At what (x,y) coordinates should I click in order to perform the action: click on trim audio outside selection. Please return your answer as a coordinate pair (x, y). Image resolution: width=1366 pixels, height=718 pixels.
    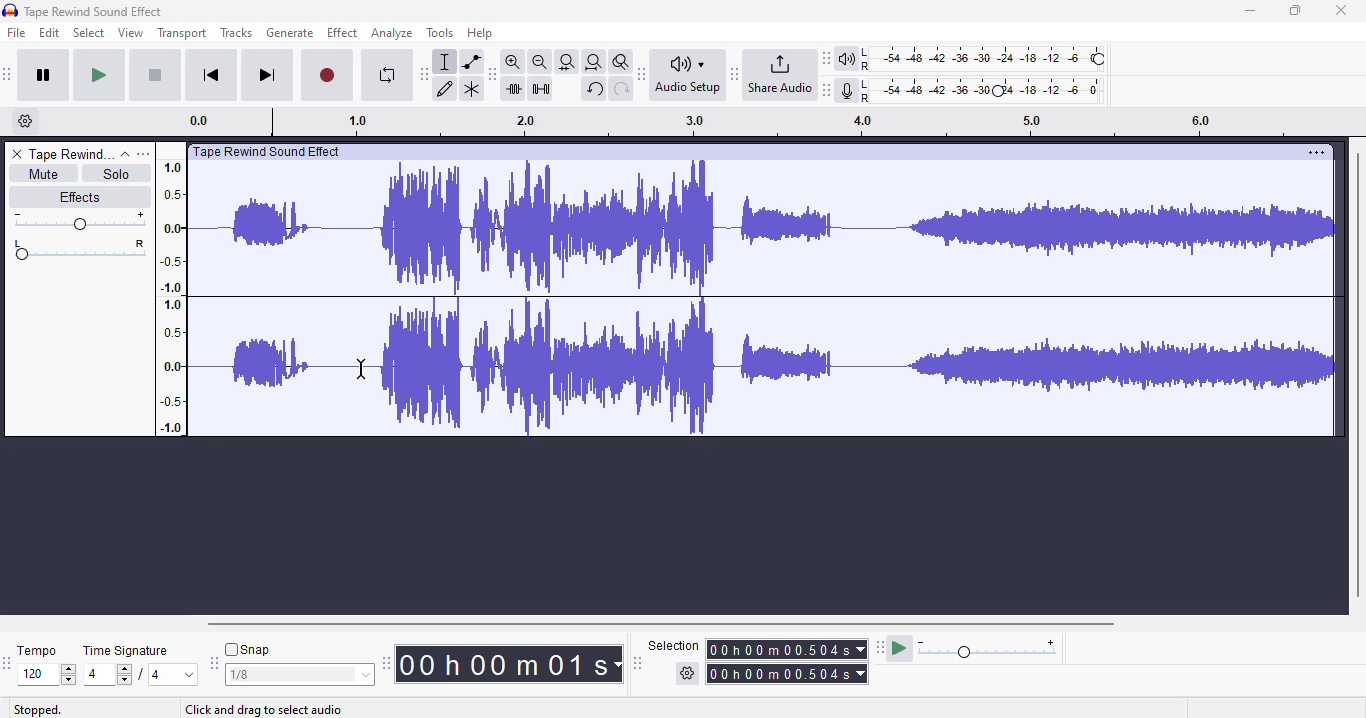
    Looking at the image, I should click on (516, 89).